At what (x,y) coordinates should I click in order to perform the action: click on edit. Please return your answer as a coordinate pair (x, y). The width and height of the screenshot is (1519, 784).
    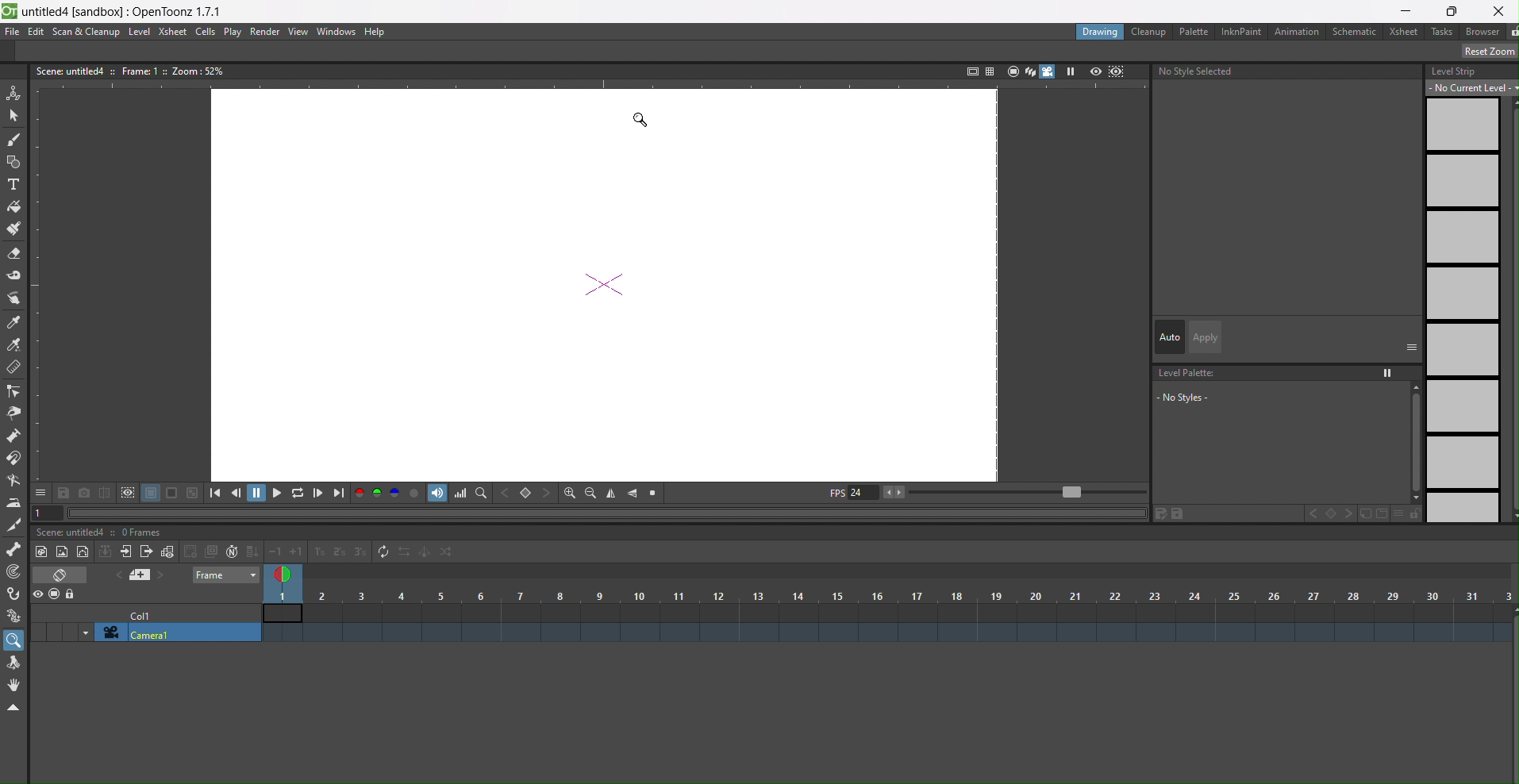
    Looking at the image, I should click on (37, 31).